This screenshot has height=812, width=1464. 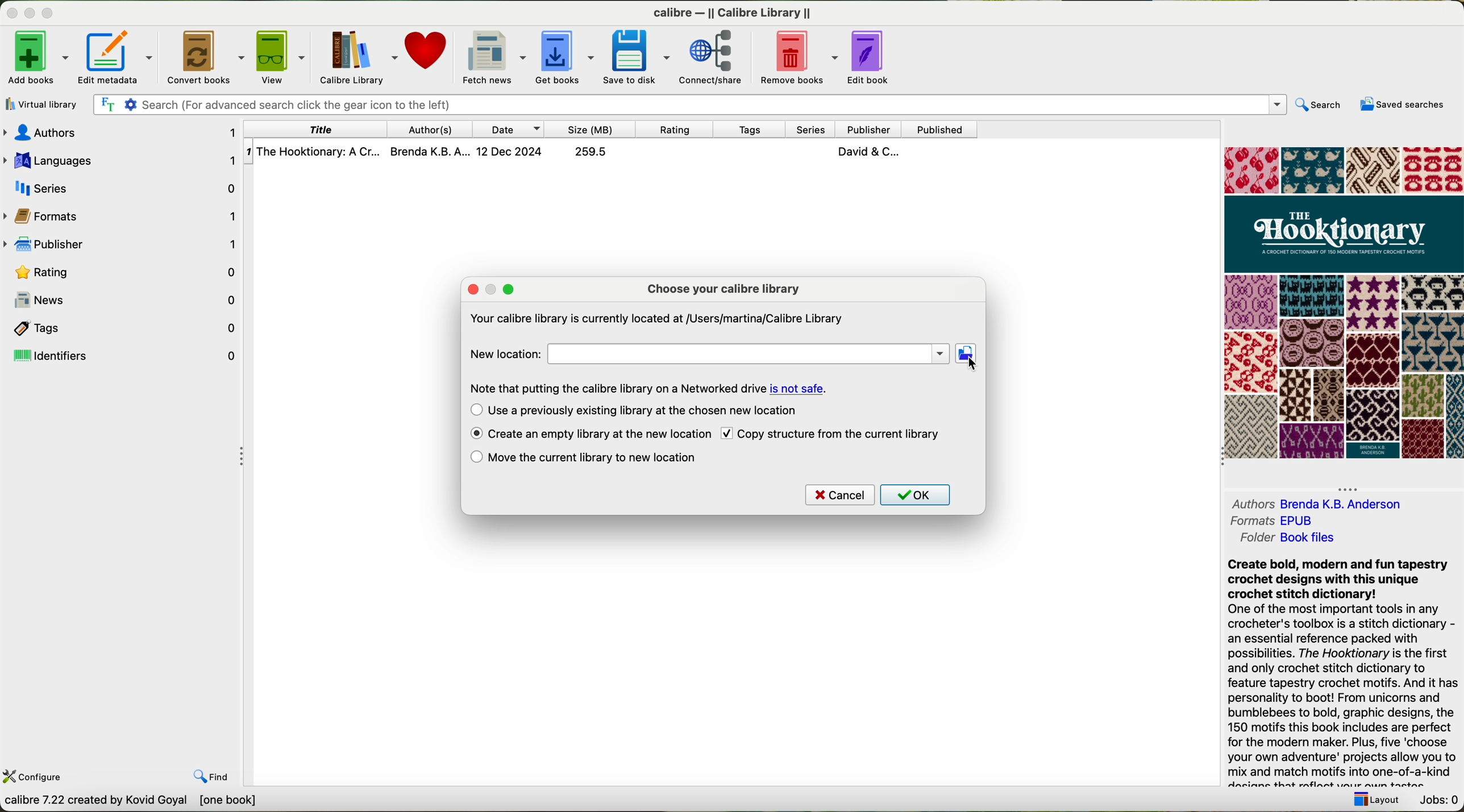 I want to click on calibre 7.22 created by Kavid Goyal [one book], so click(x=163, y=802).